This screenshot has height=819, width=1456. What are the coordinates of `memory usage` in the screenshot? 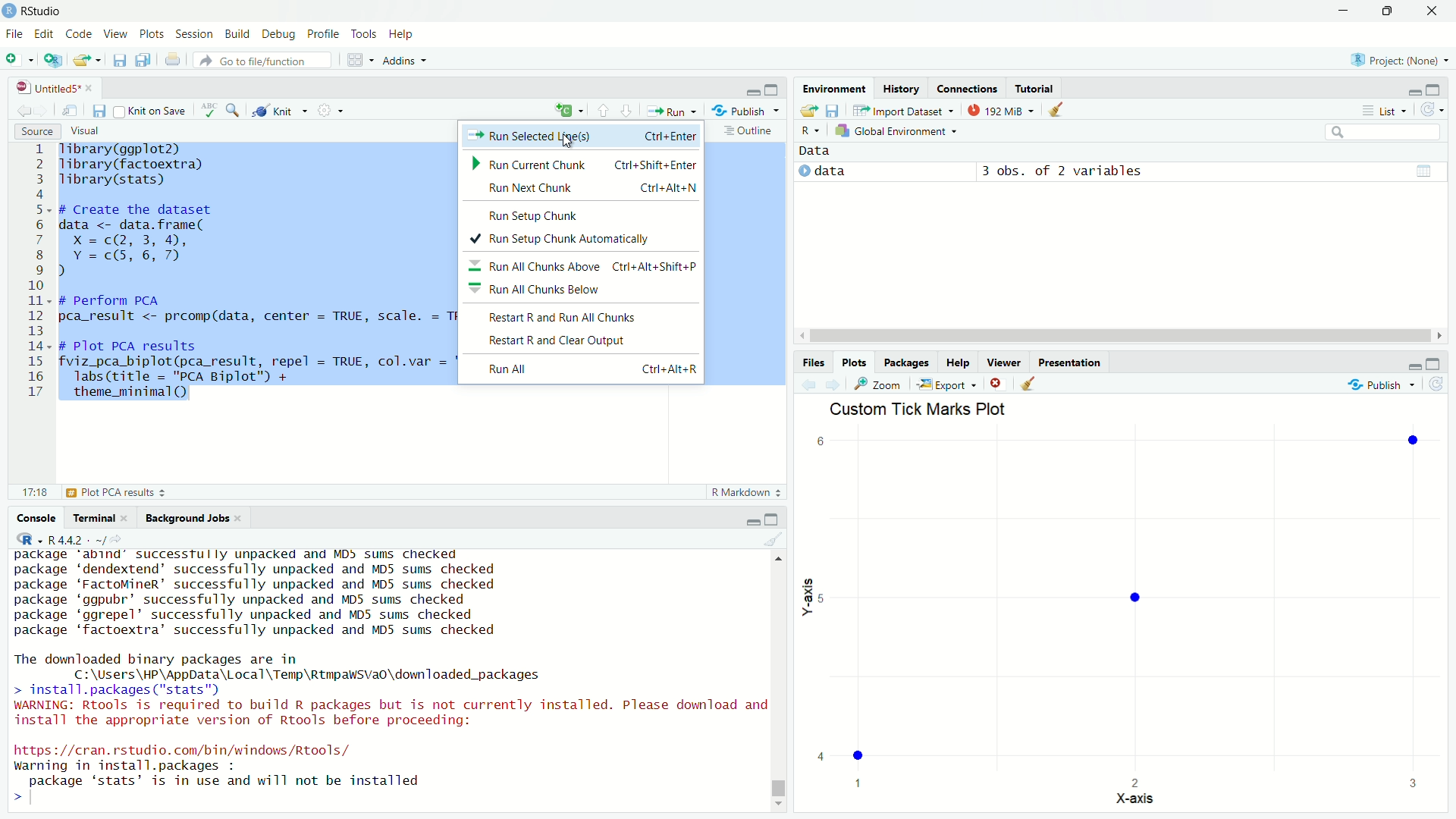 It's located at (1001, 109).